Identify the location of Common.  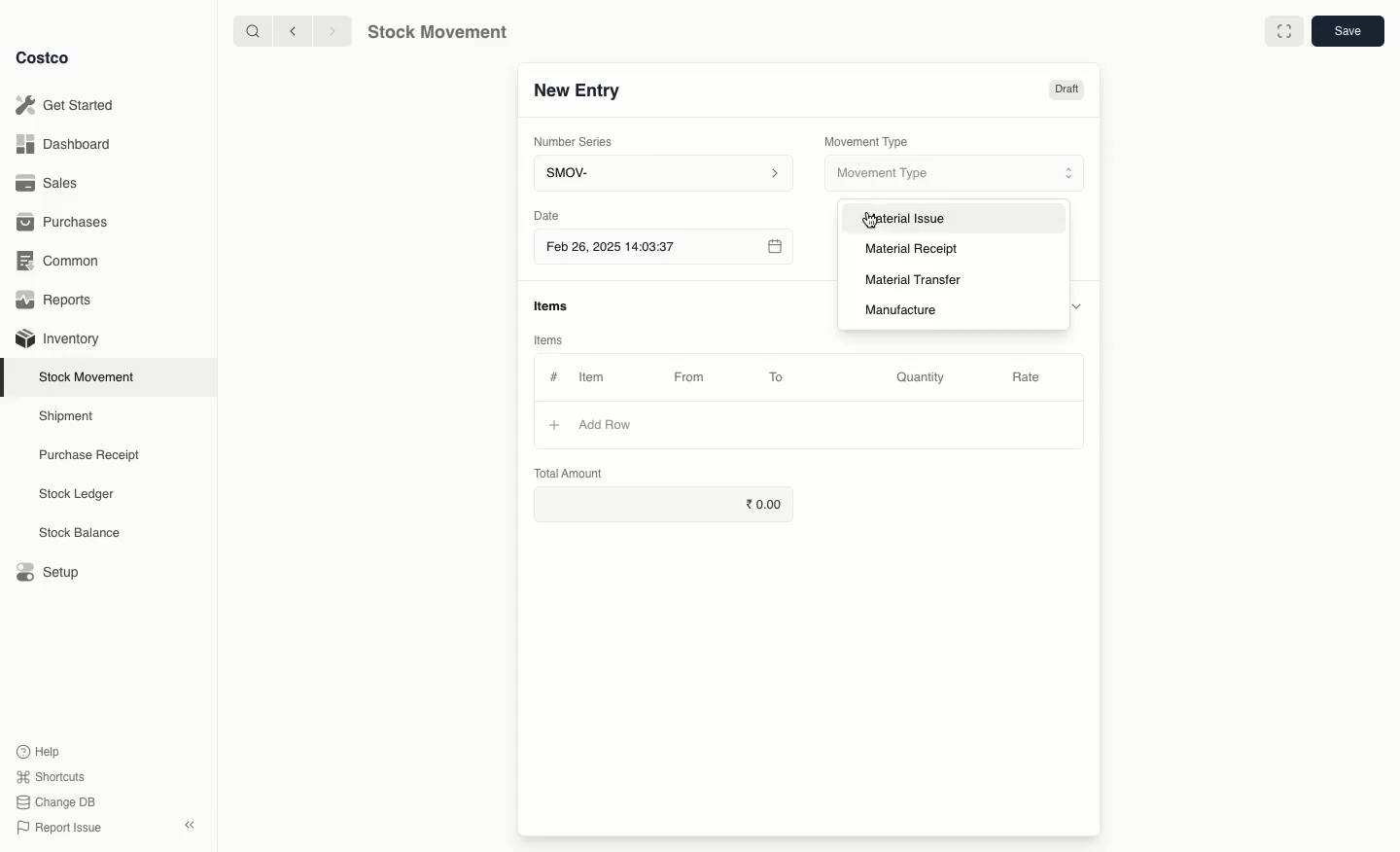
(63, 263).